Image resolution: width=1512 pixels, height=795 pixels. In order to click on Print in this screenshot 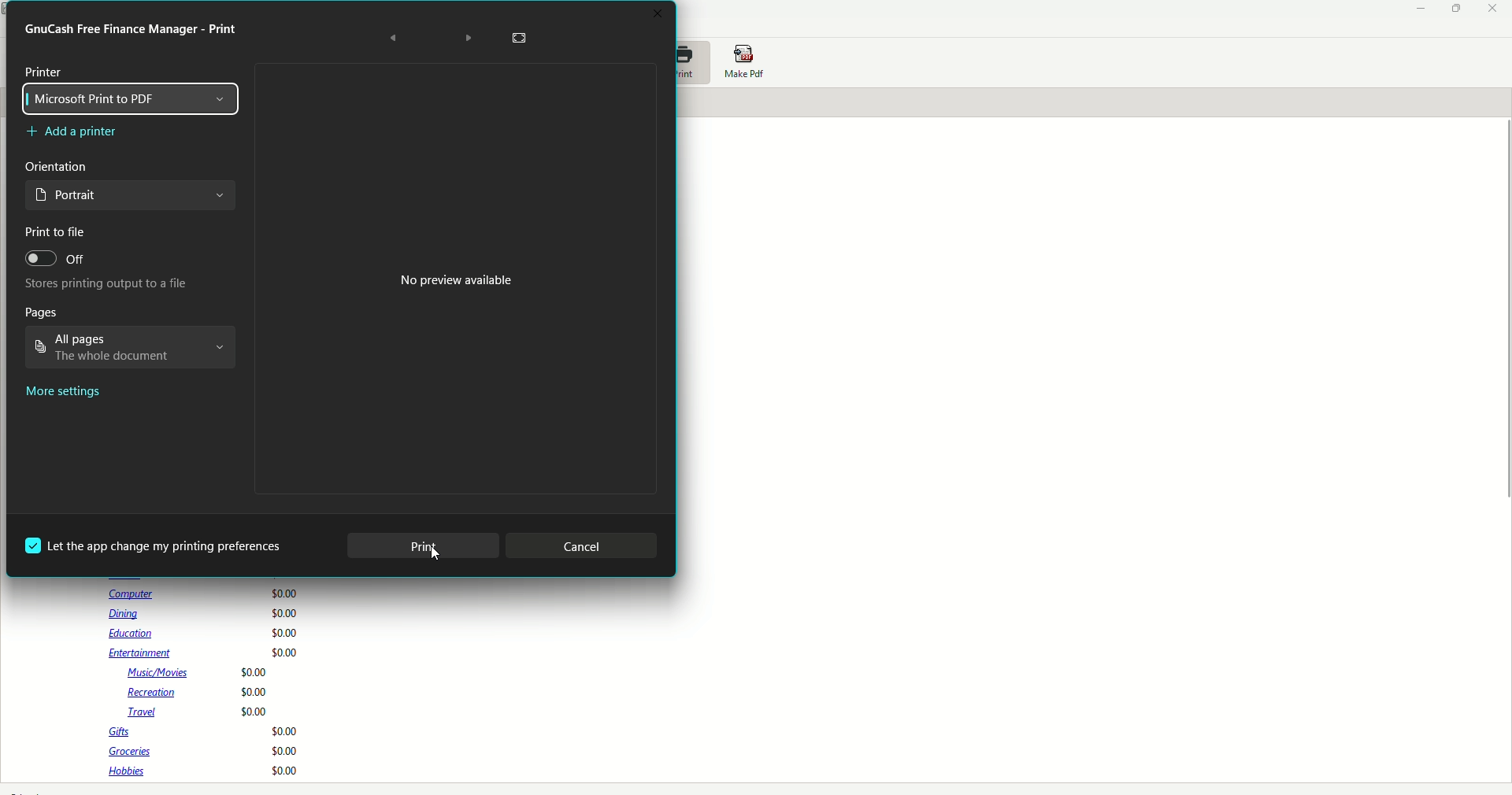, I will do `click(421, 546)`.